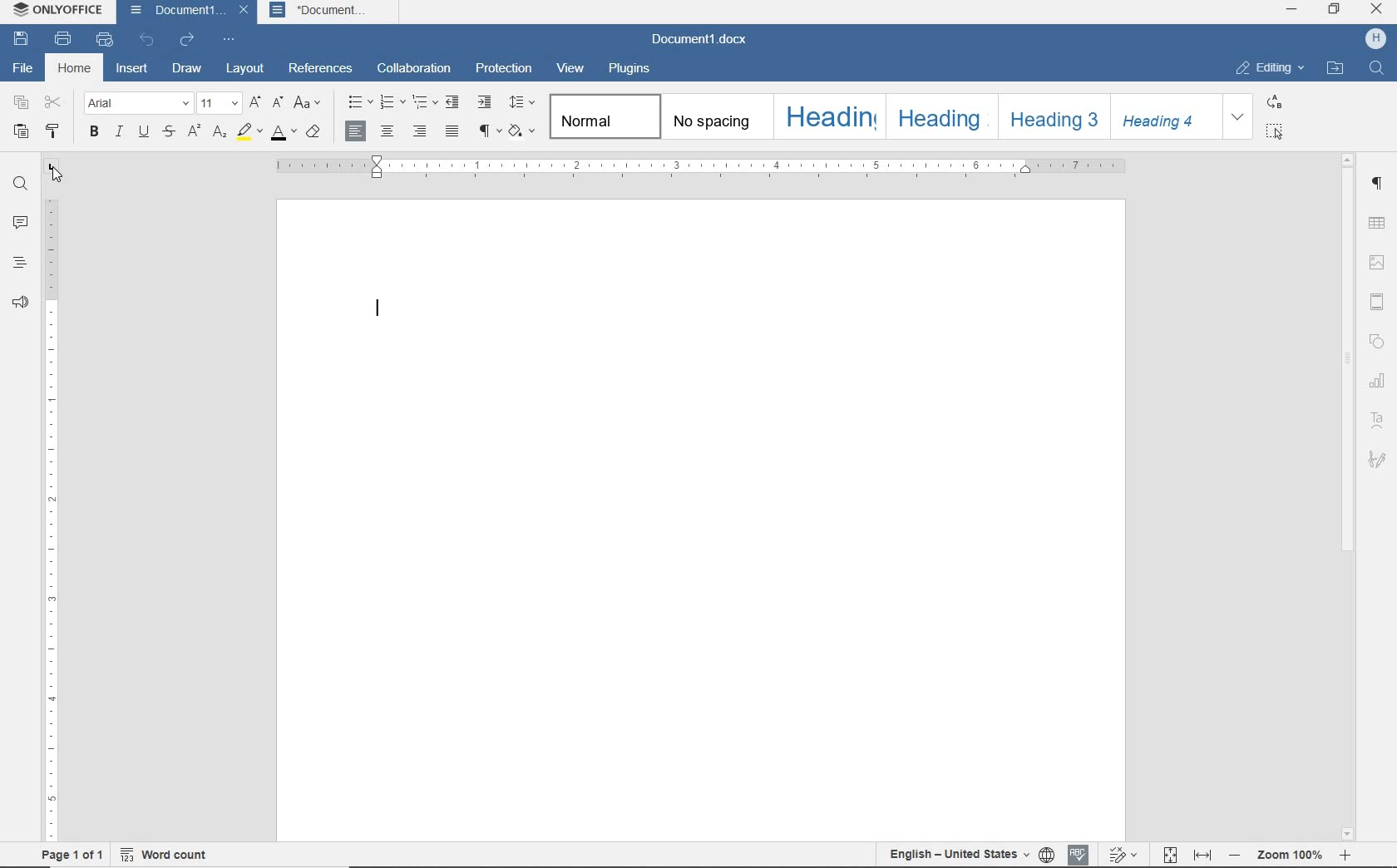 This screenshot has width=1397, height=868. What do you see at coordinates (939, 116) in the screenshot?
I see `HEADING 2` at bounding box center [939, 116].